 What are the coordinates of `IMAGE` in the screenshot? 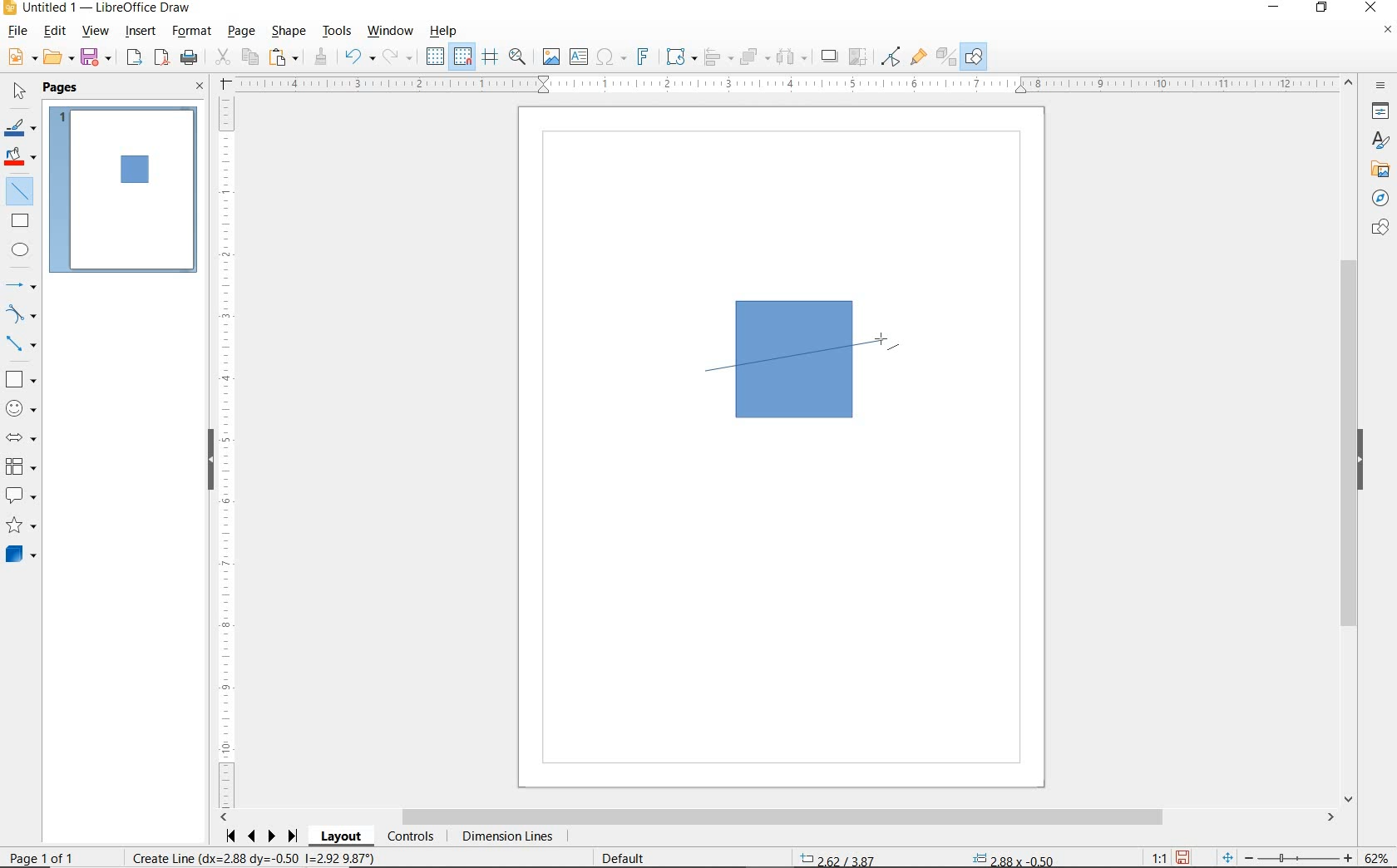 It's located at (550, 56).